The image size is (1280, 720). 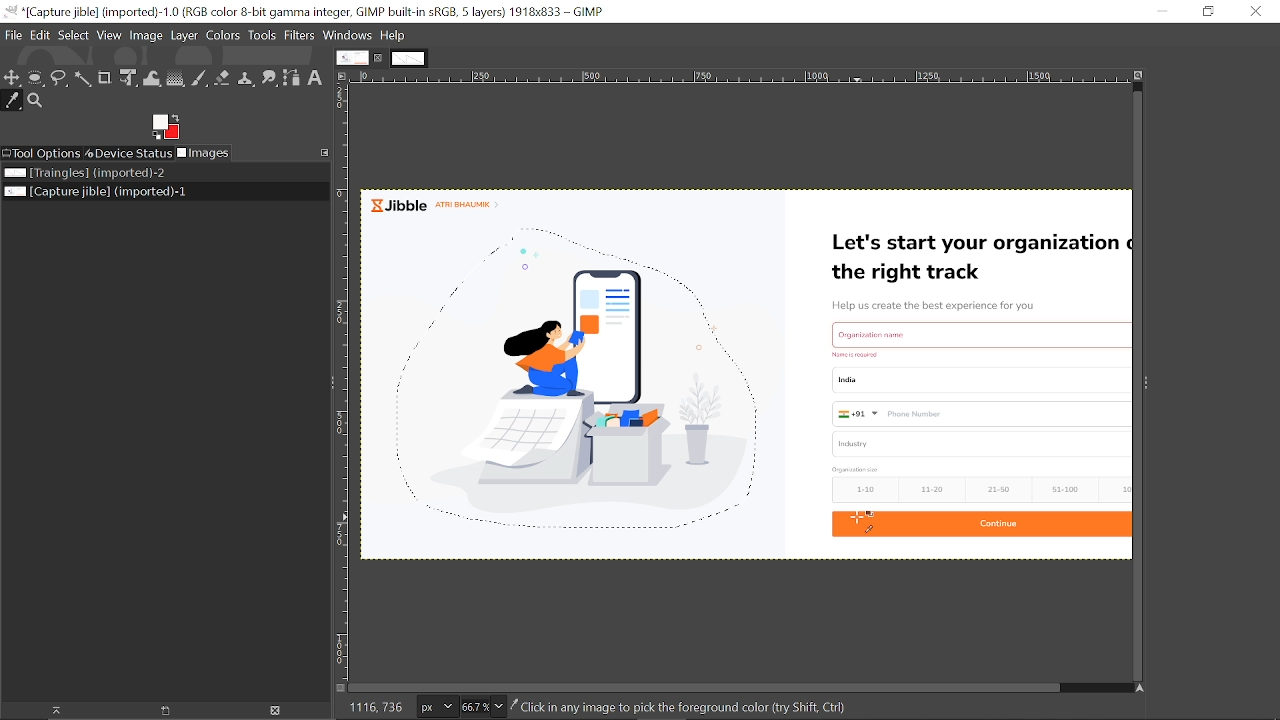 I want to click on Filters, so click(x=299, y=36).